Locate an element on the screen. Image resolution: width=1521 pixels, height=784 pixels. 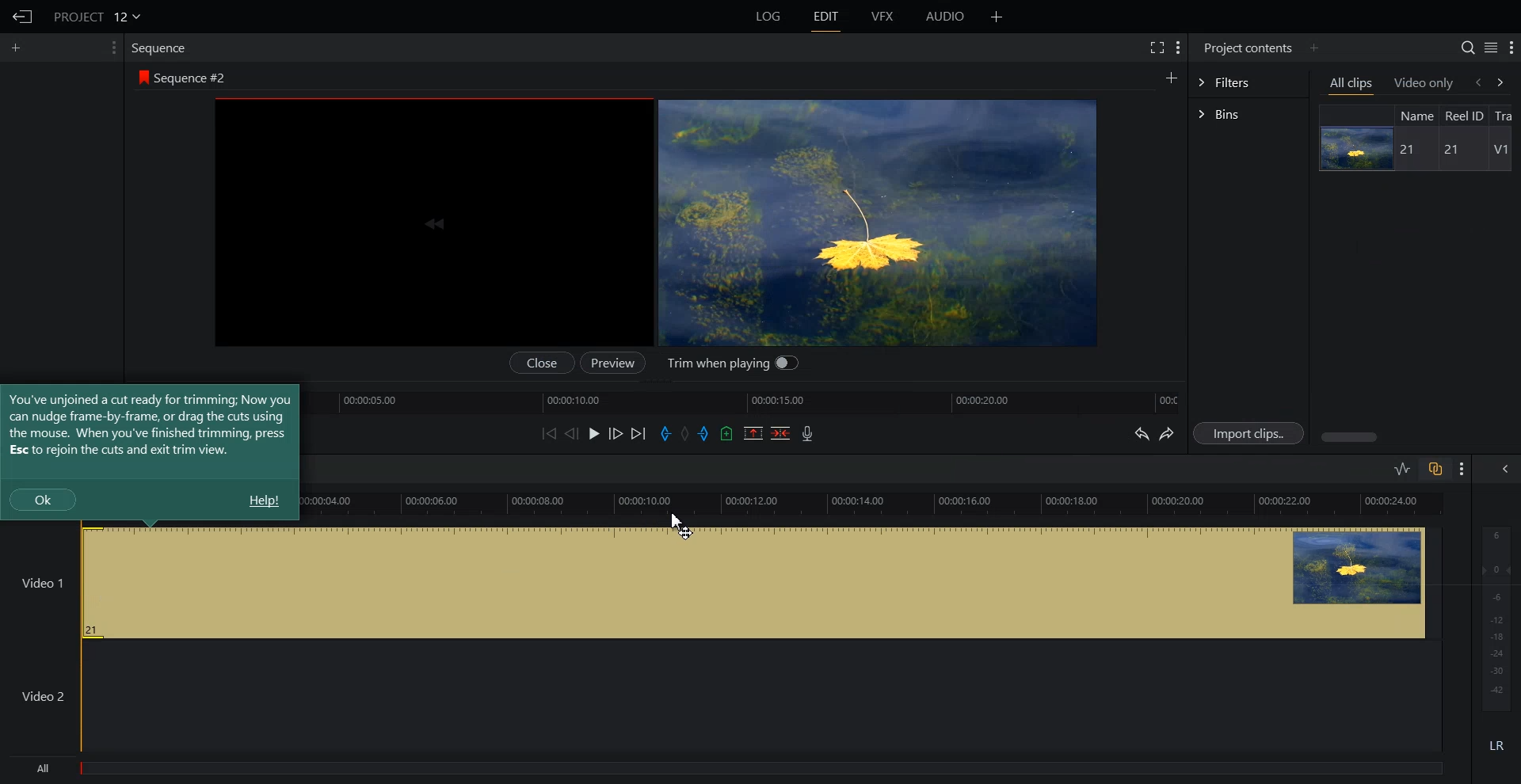
Search is located at coordinates (1468, 48).